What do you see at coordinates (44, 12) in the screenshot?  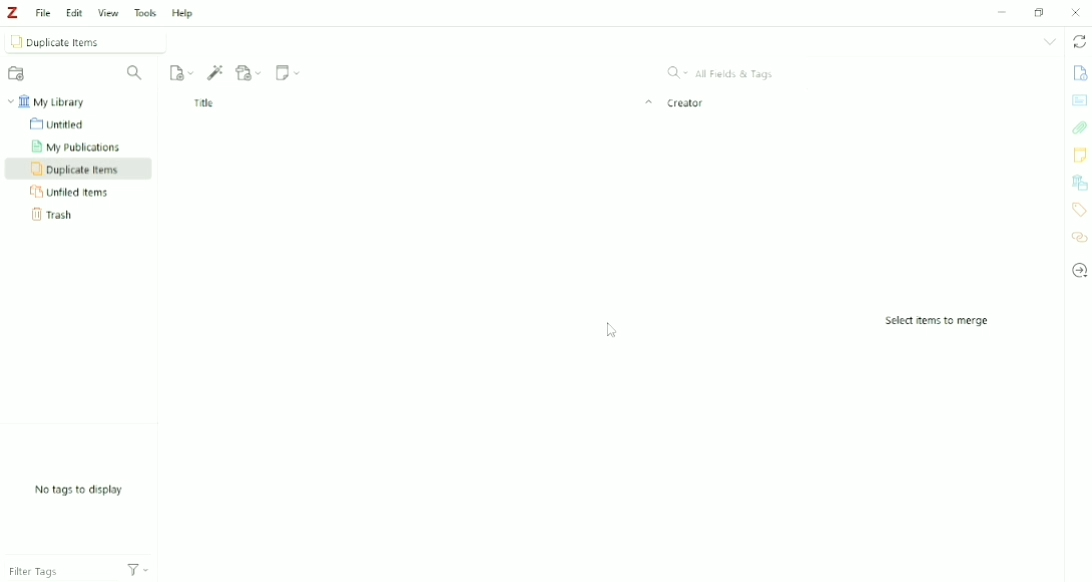 I see `File` at bounding box center [44, 12].